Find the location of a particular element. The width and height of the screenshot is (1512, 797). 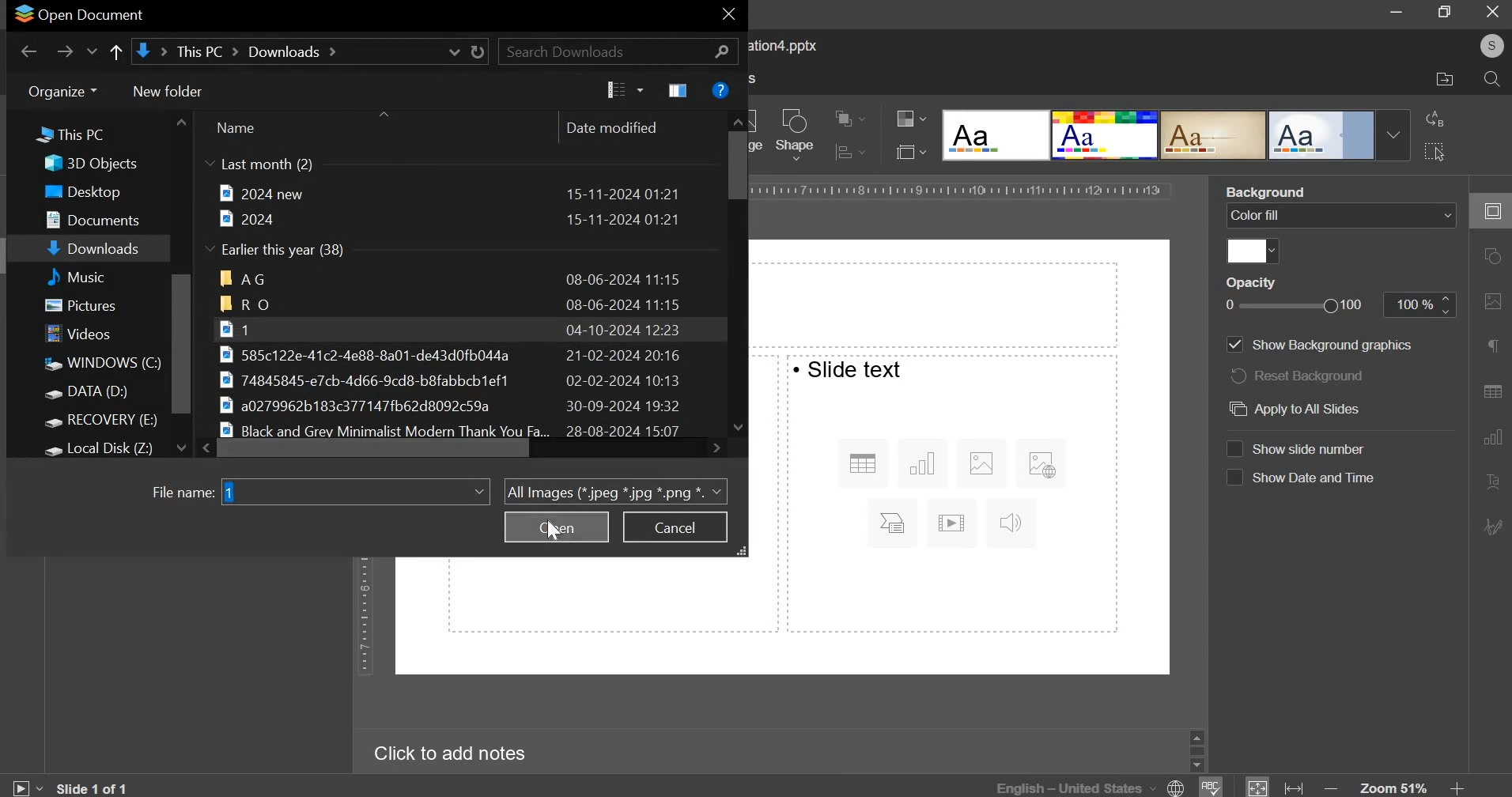

up to is located at coordinates (115, 54).